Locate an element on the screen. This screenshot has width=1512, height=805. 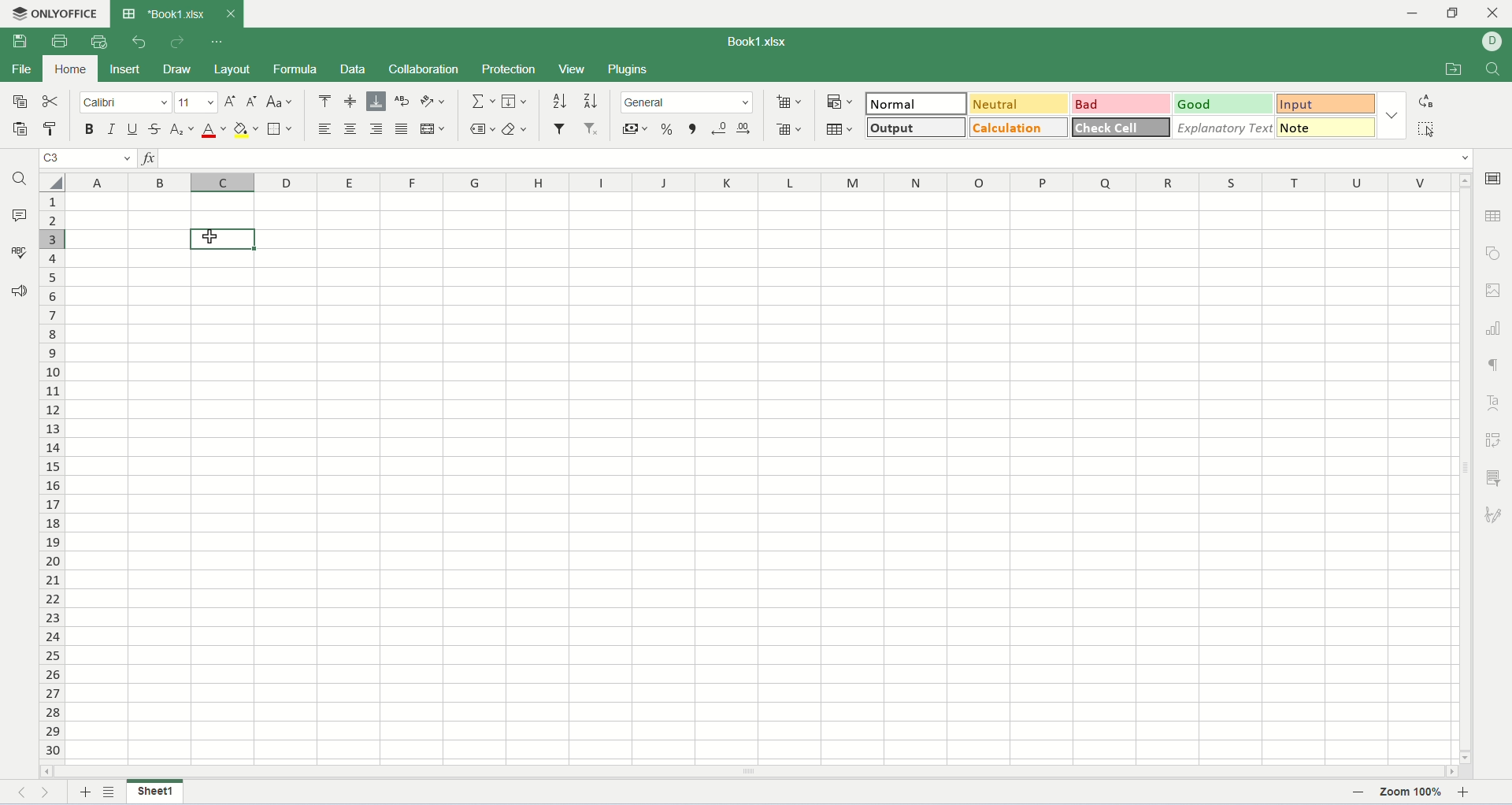
fill is located at coordinates (516, 101).